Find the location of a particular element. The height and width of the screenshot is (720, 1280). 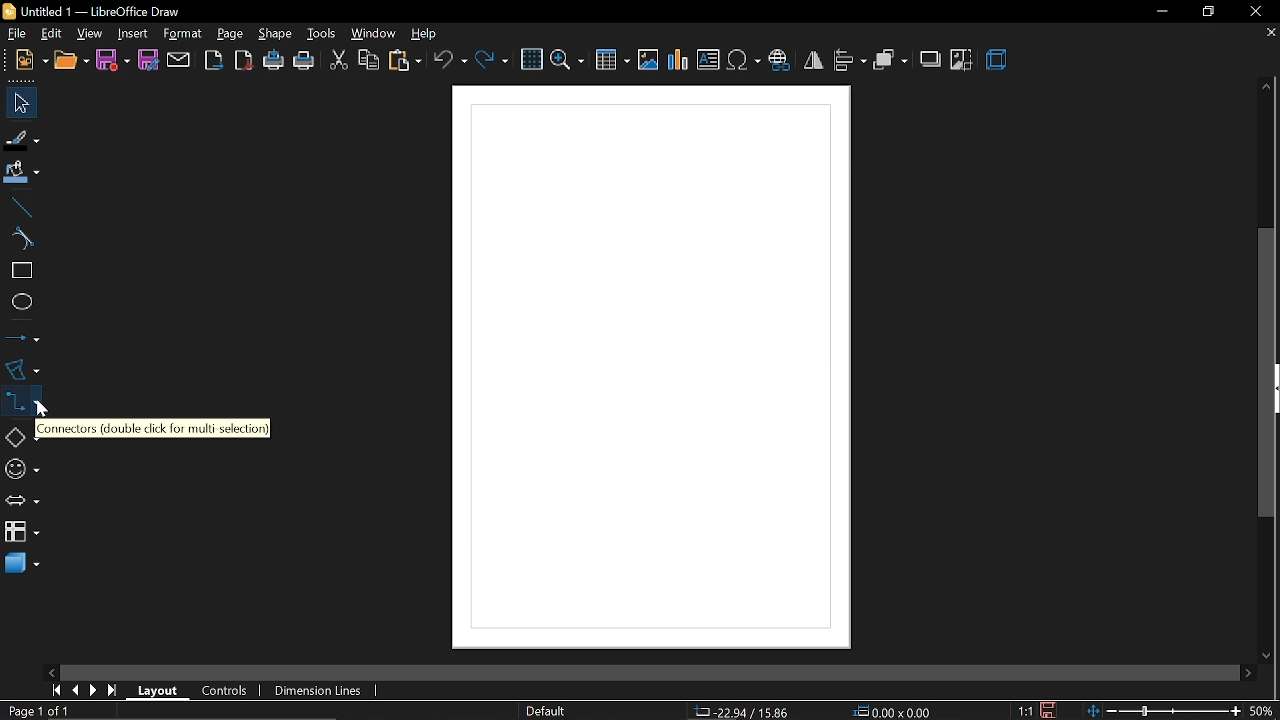

save as is located at coordinates (147, 60).